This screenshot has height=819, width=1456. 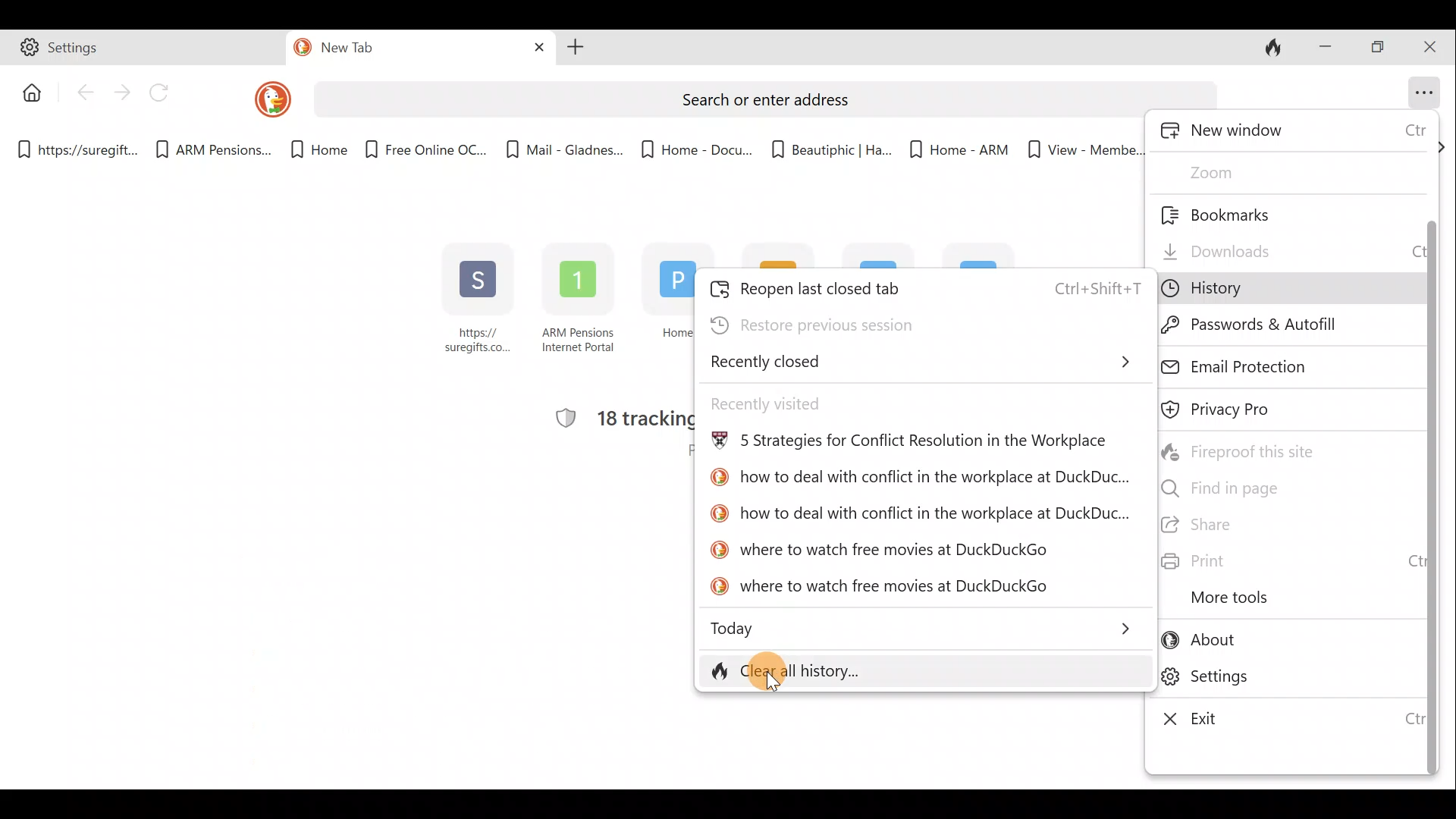 What do you see at coordinates (1250, 213) in the screenshot?
I see `Bookmarks` at bounding box center [1250, 213].